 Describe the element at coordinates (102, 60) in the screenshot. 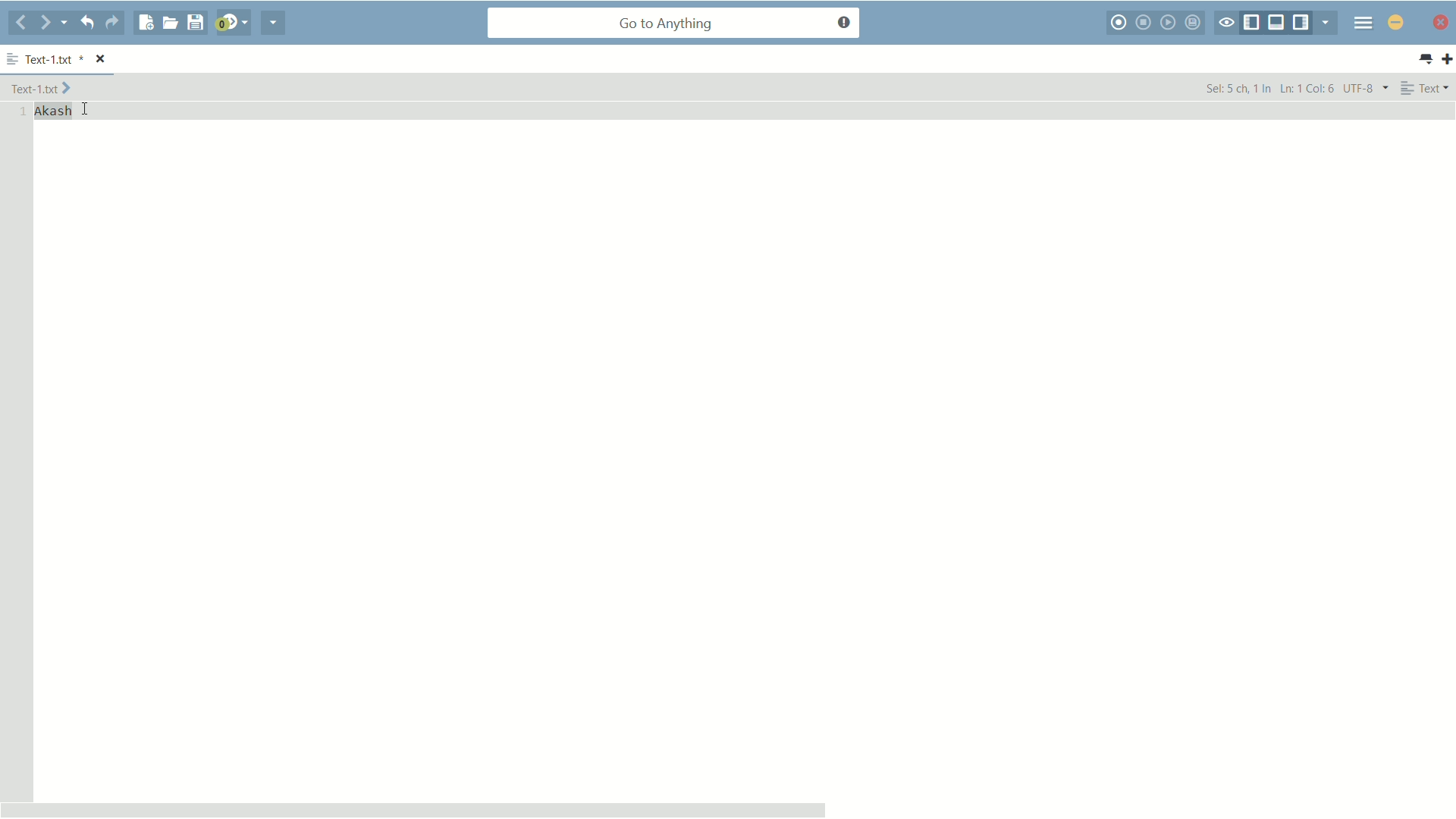

I see `close file` at that location.